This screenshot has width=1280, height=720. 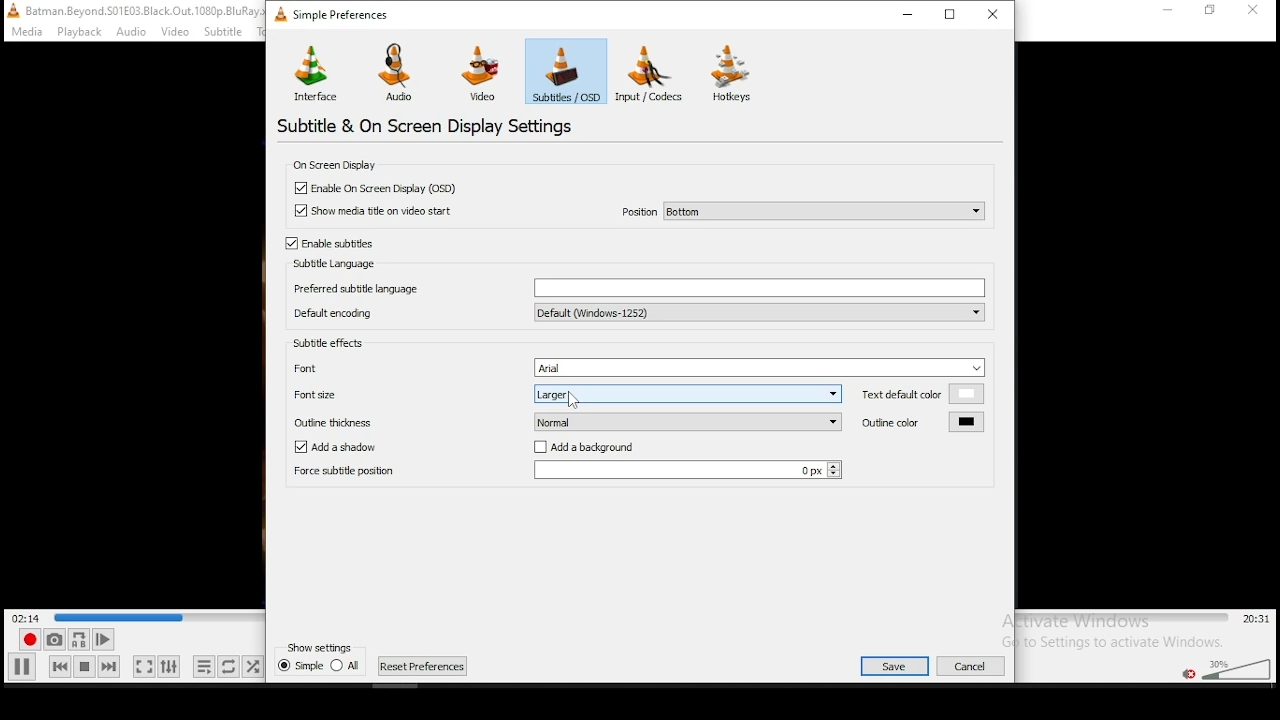 What do you see at coordinates (227, 668) in the screenshot?
I see `click to select between loop all, loop one, and no loop` at bounding box center [227, 668].